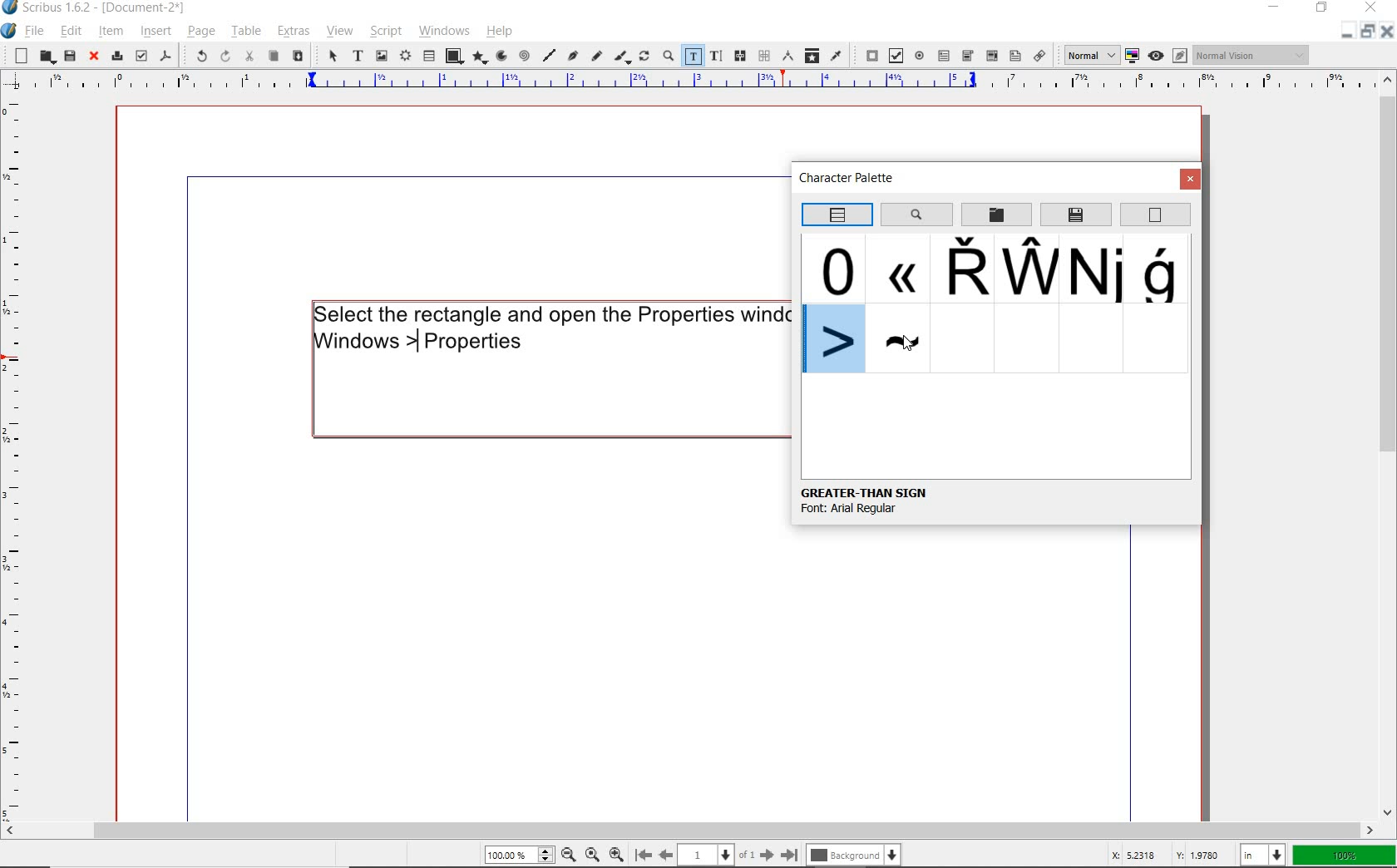 The image size is (1397, 868). I want to click on character palette, so click(852, 180).